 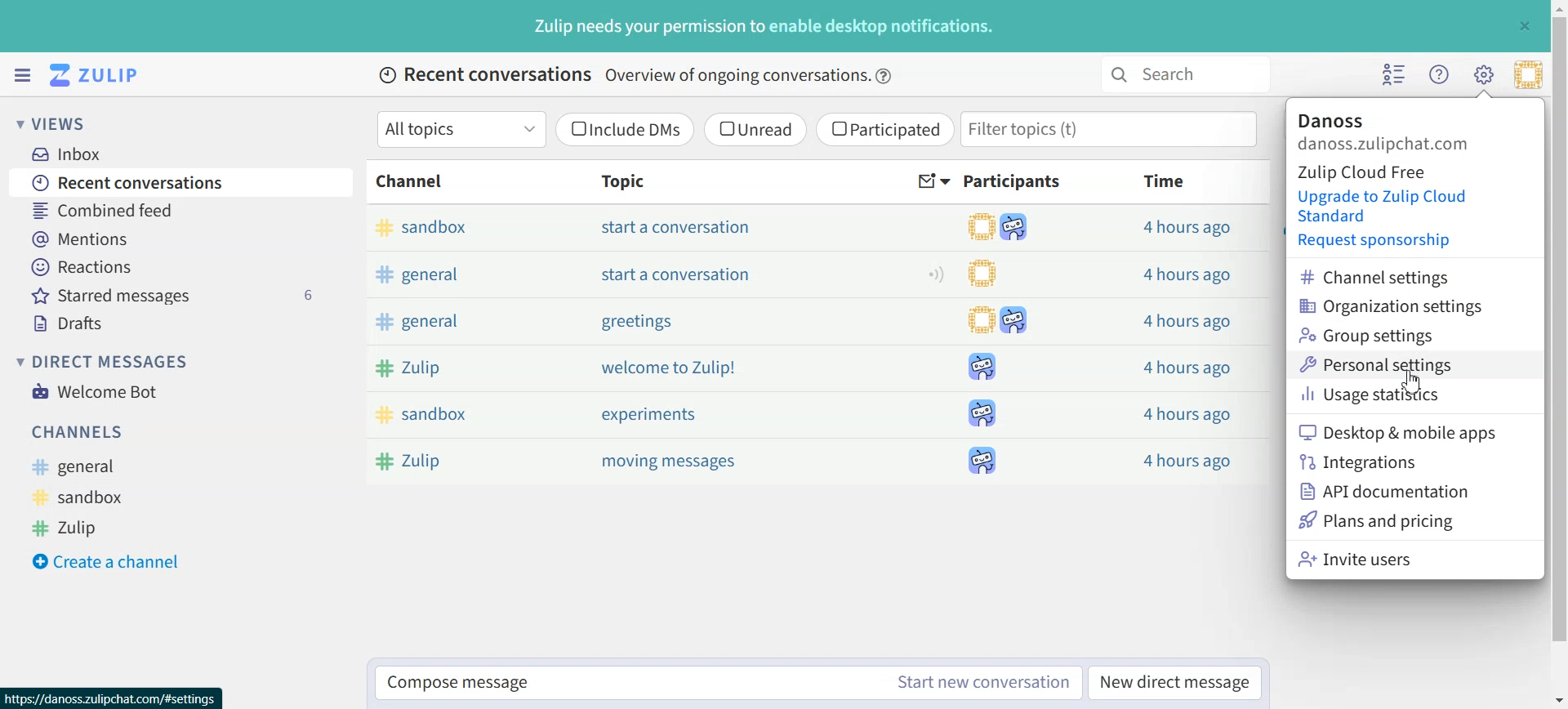 What do you see at coordinates (60, 123) in the screenshot?
I see `Views` at bounding box center [60, 123].